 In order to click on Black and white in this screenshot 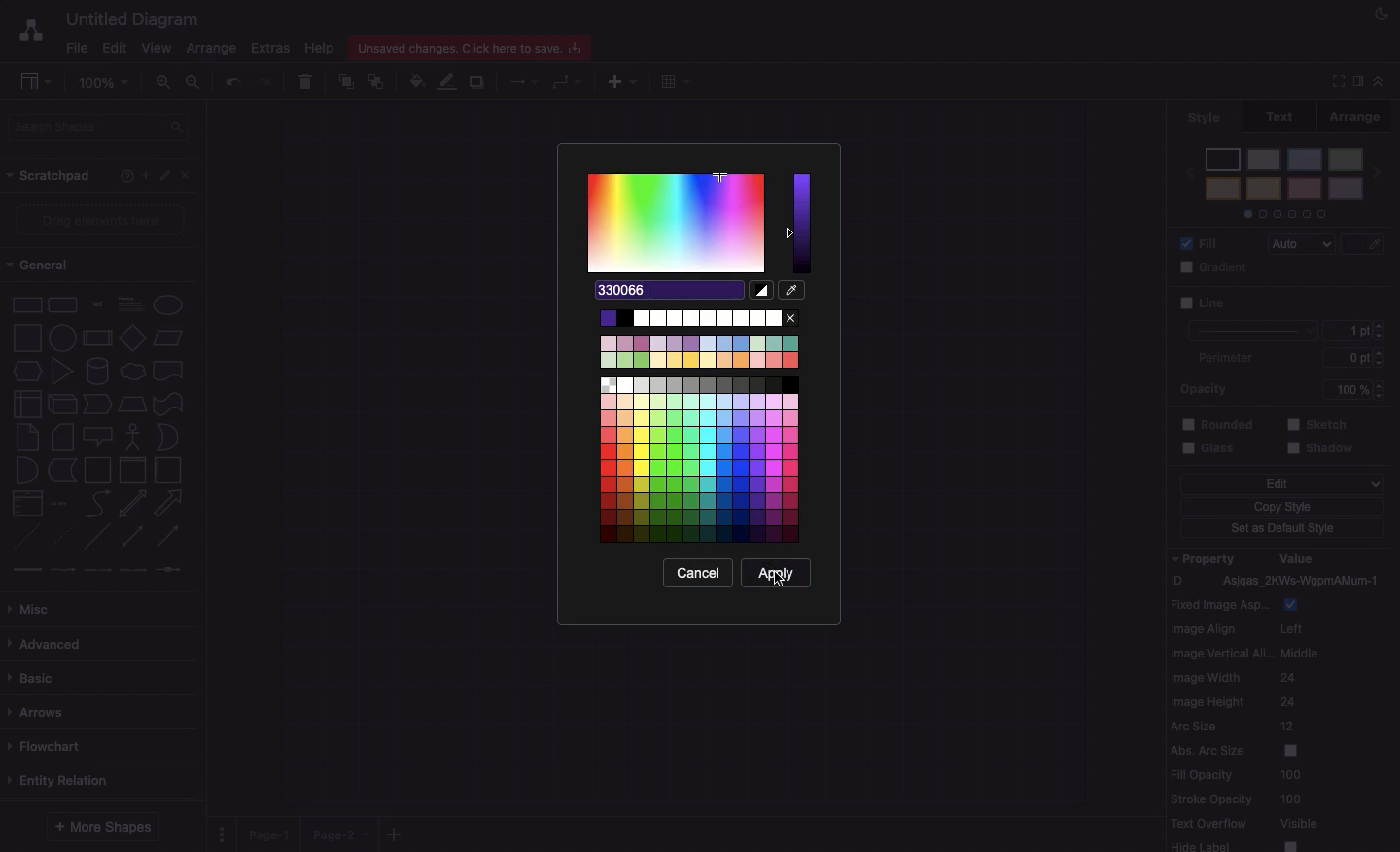, I will do `click(761, 290)`.